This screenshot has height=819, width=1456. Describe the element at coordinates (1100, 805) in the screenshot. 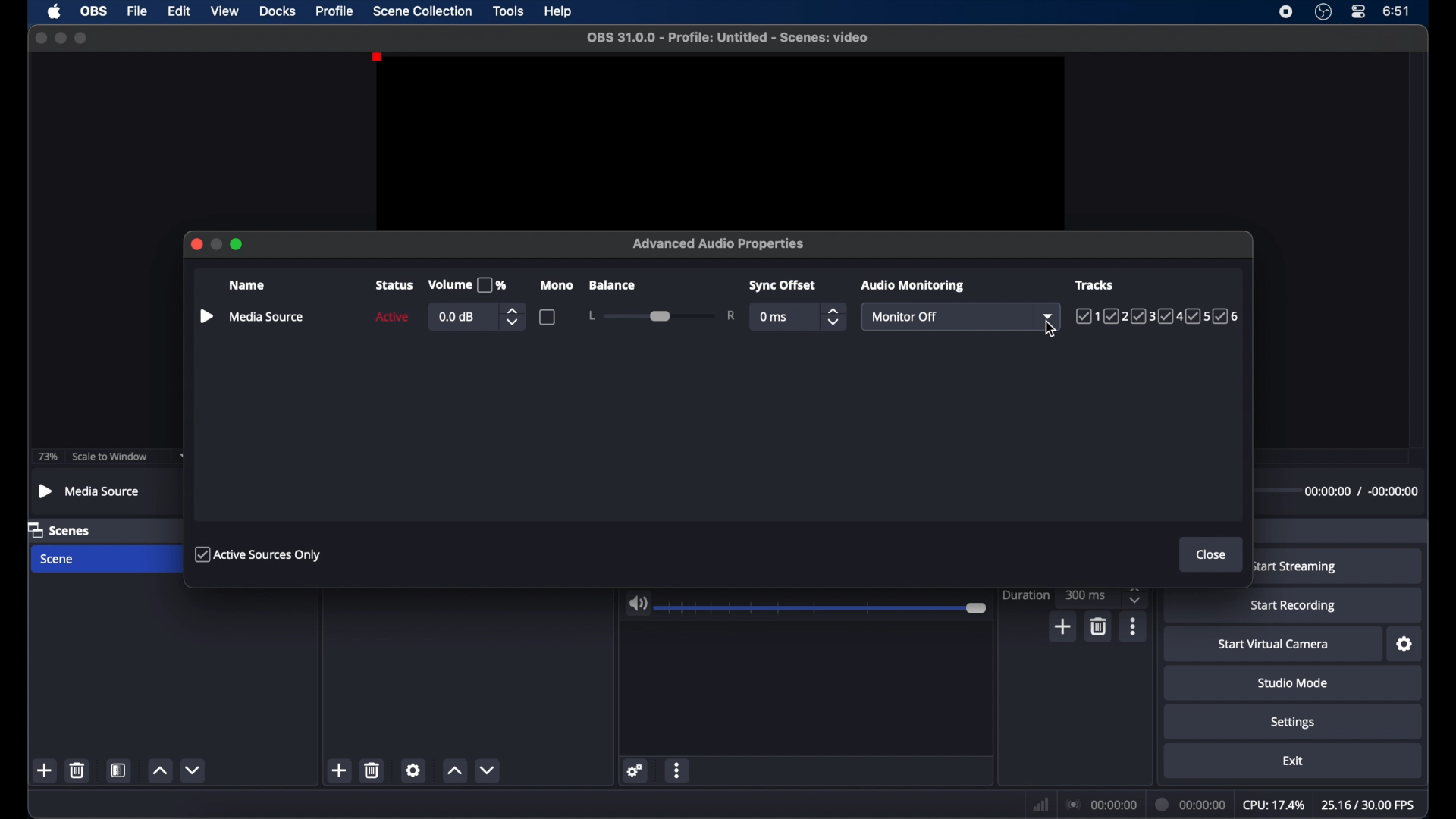

I see `connections` at that location.